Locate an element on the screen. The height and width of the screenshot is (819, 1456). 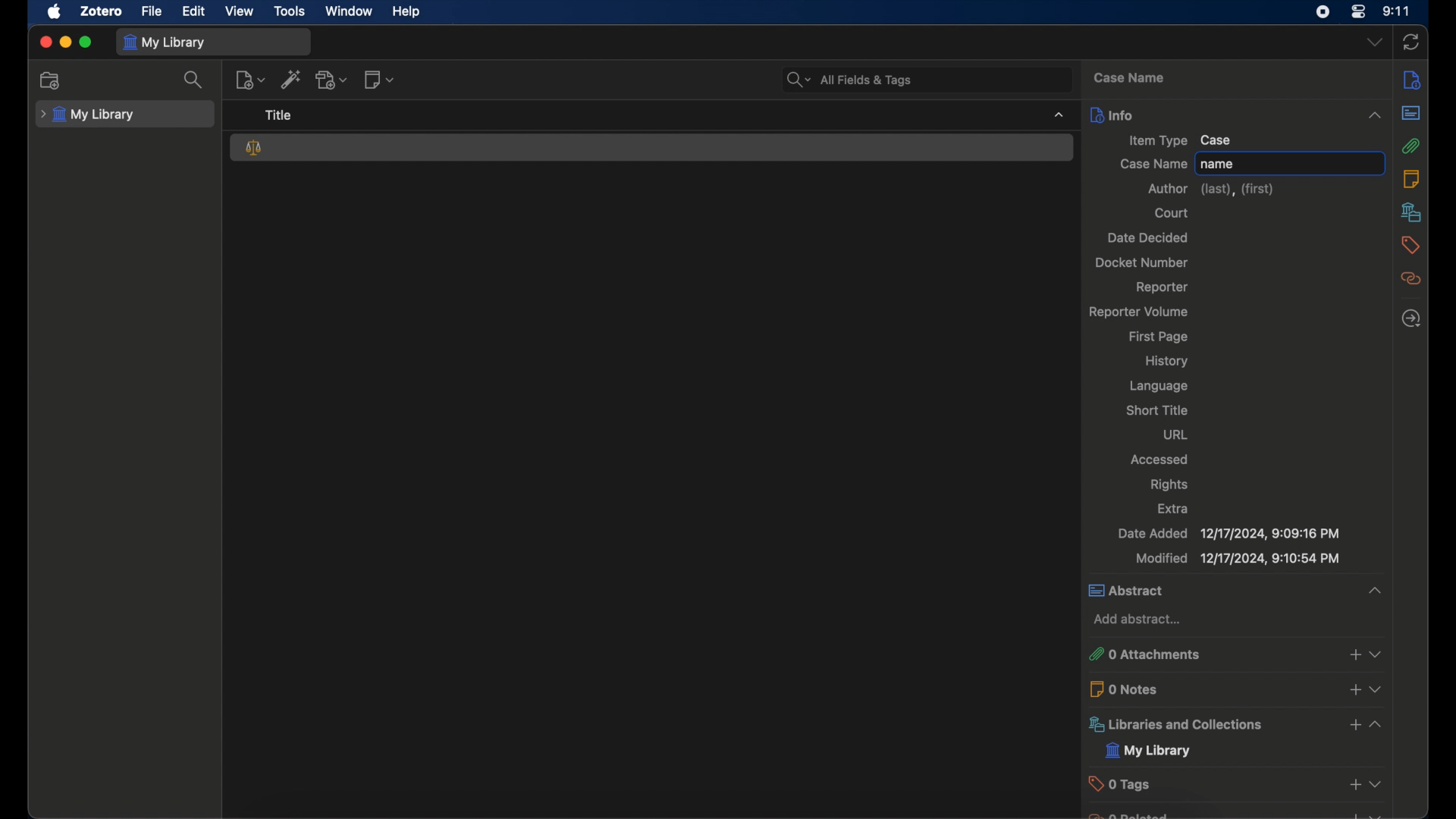
edit is located at coordinates (193, 11).